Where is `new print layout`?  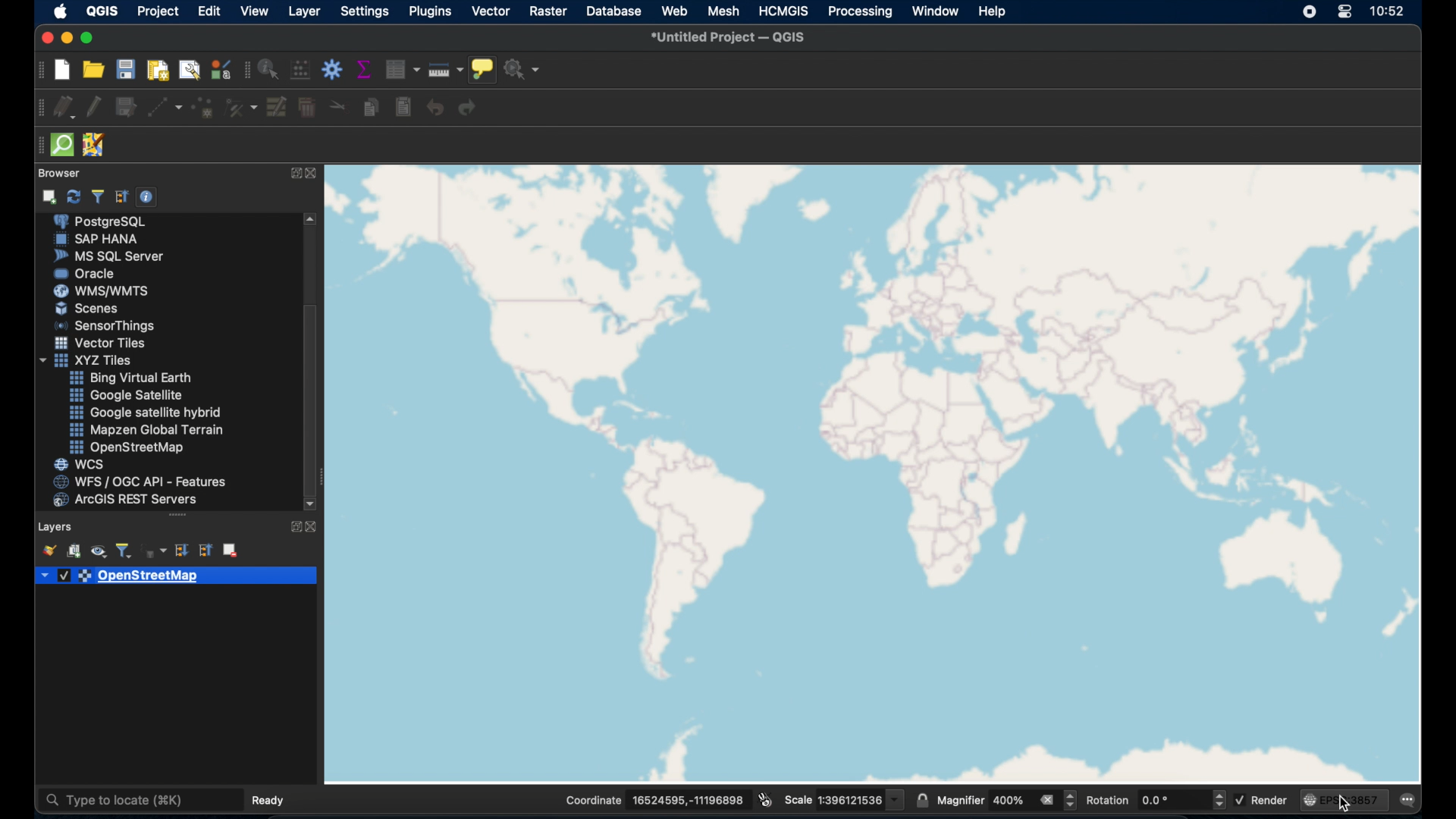
new print layout is located at coordinates (157, 72).